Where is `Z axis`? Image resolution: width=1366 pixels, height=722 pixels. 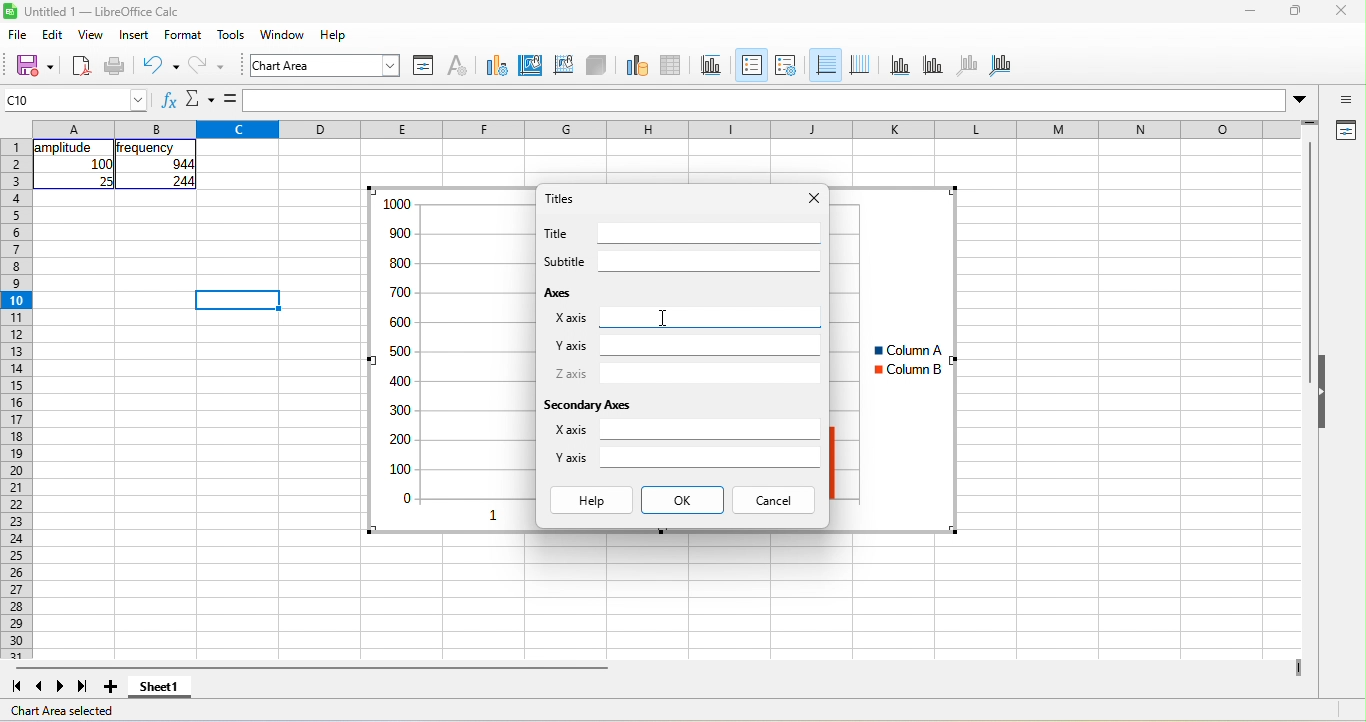
Z axis is located at coordinates (571, 373).